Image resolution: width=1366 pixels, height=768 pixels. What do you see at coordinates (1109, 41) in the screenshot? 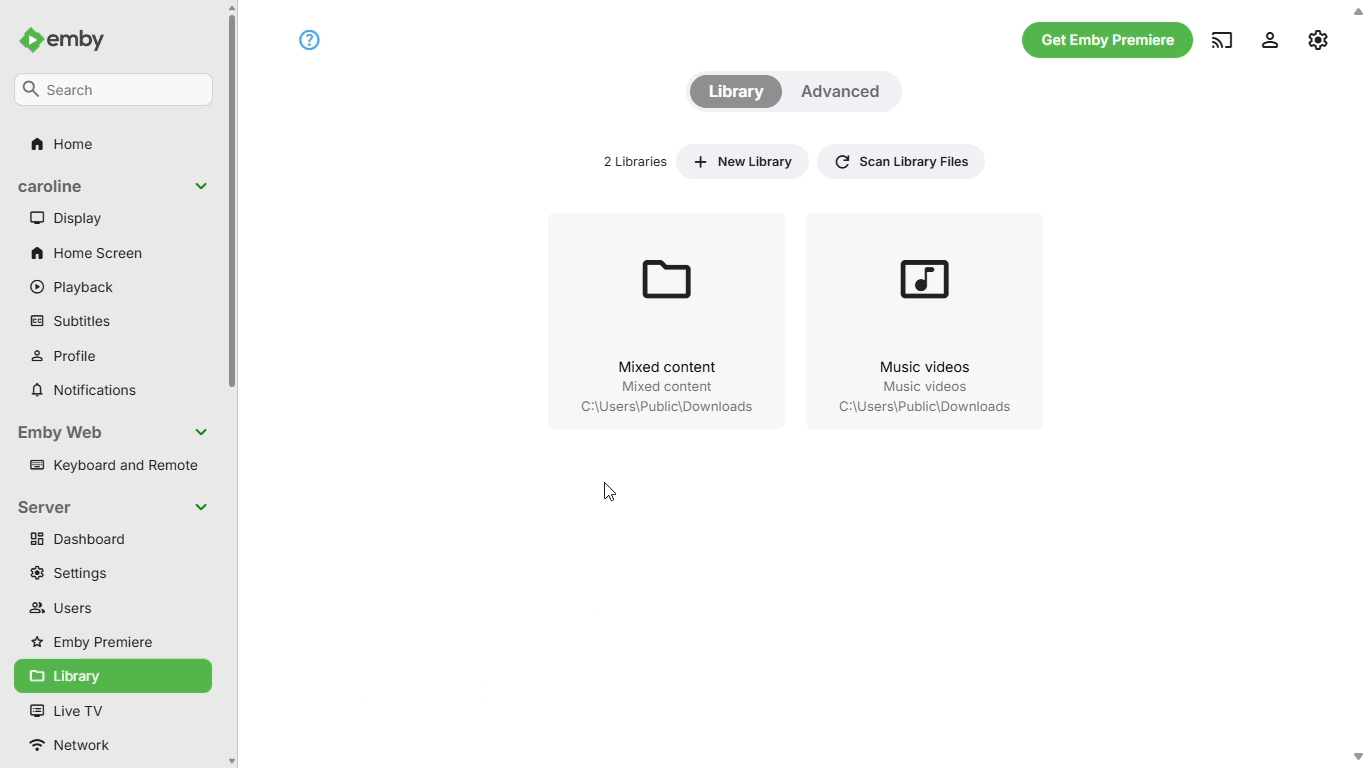
I see `get emby premiere` at bounding box center [1109, 41].